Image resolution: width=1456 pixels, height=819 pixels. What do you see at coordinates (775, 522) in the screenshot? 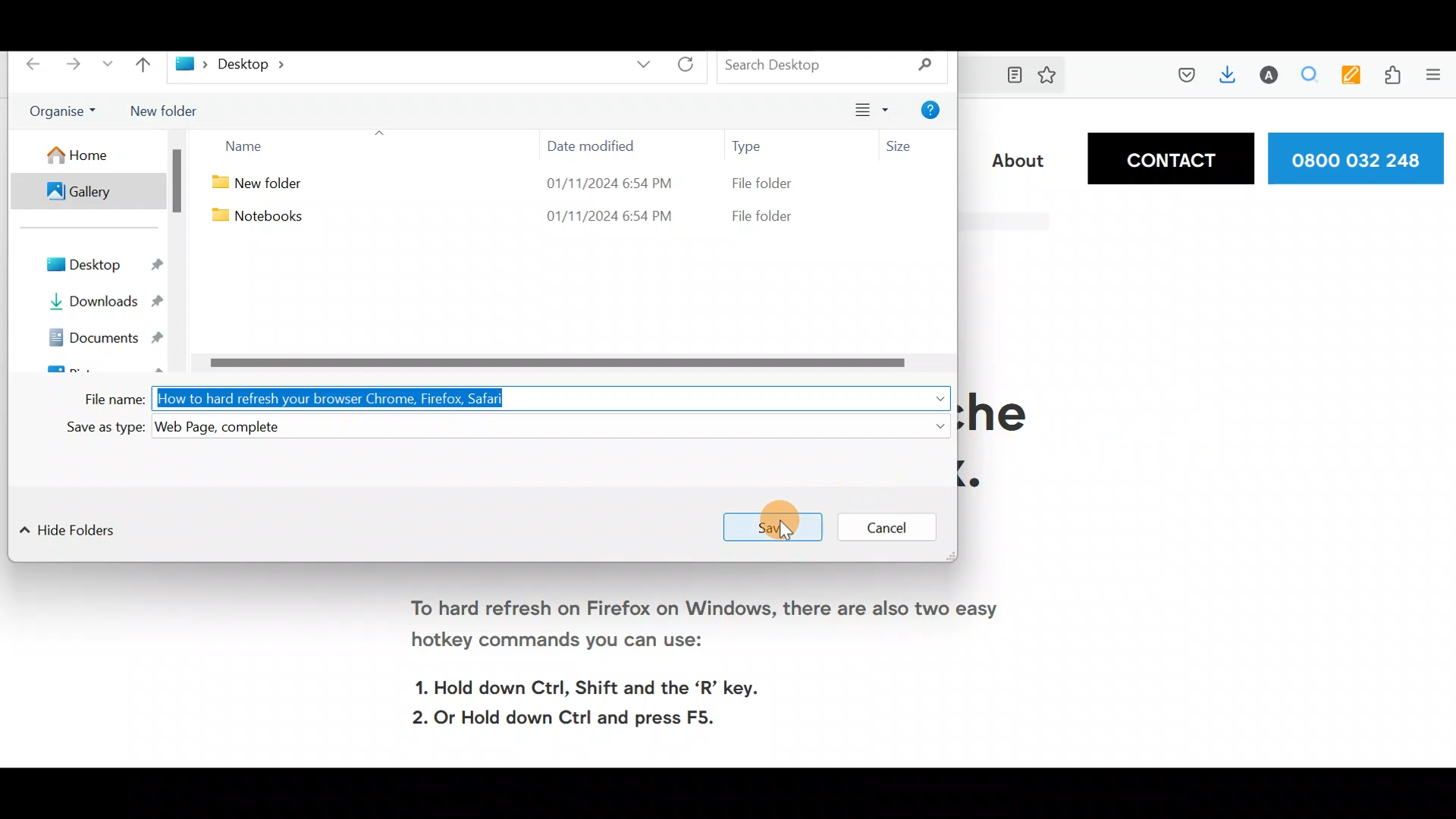
I see `Save` at bounding box center [775, 522].